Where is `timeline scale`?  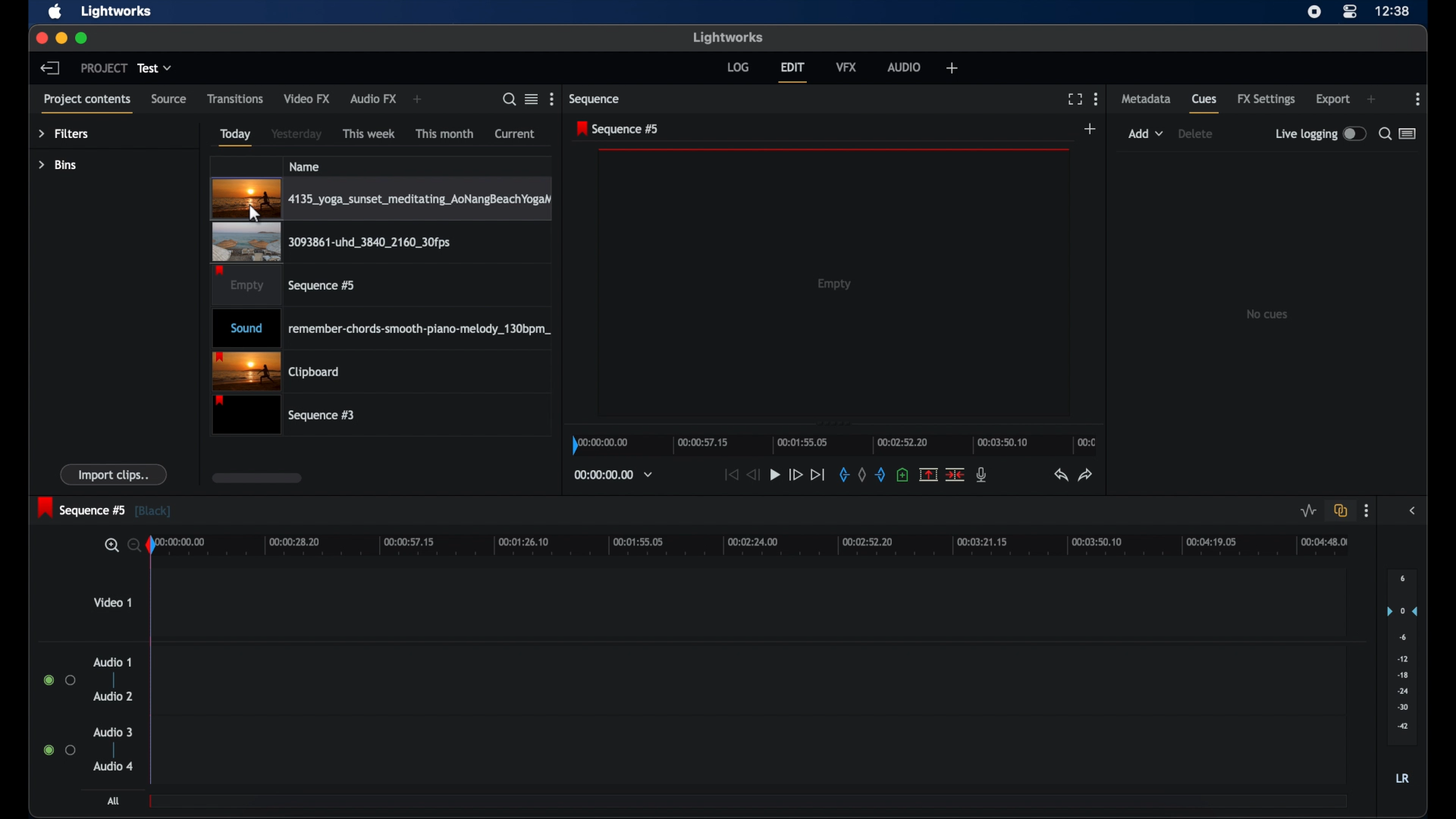 timeline scale is located at coordinates (763, 544).